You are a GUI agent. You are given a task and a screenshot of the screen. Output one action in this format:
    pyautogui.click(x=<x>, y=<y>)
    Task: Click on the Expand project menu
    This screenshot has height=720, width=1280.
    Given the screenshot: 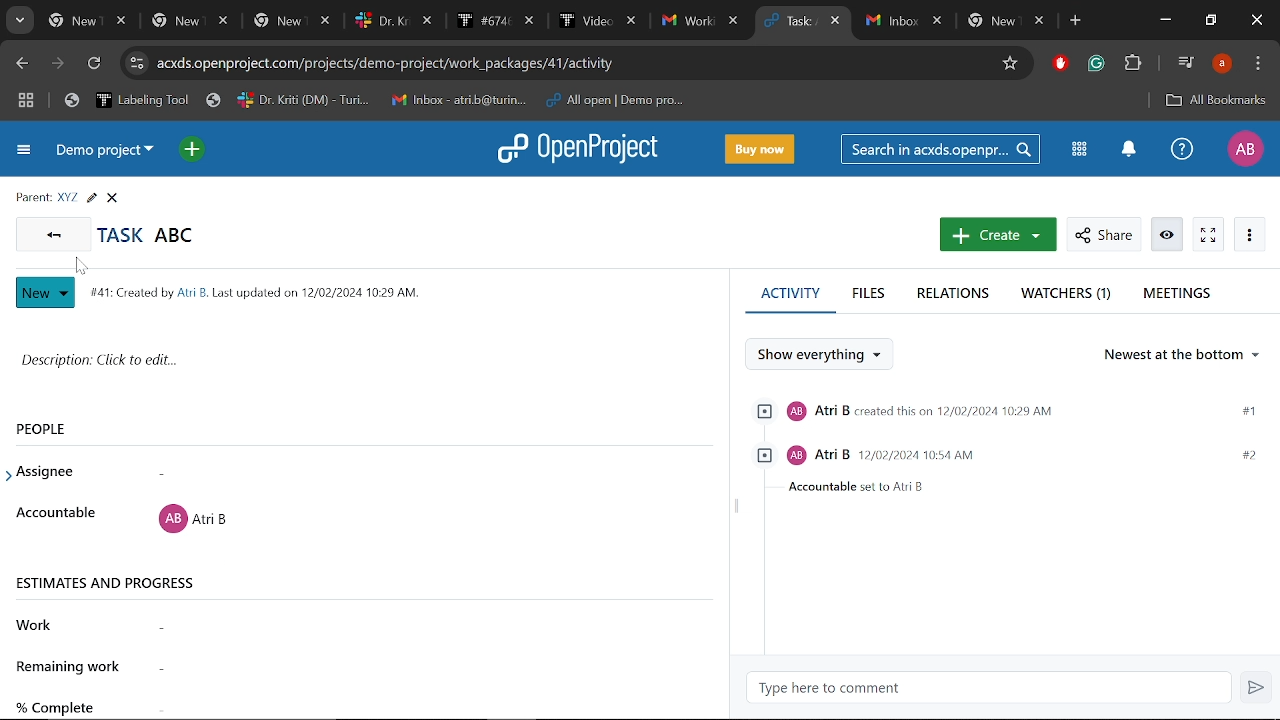 What is the action you would take?
    pyautogui.click(x=24, y=152)
    